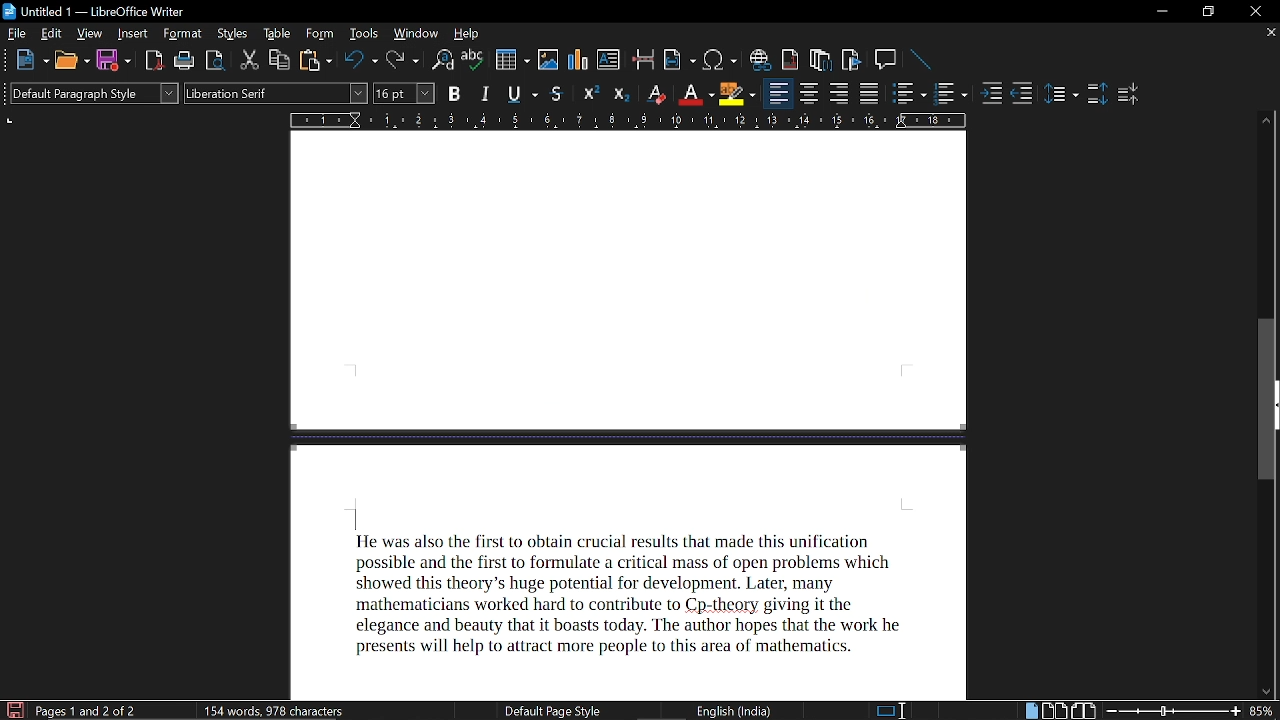 This screenshot has height=720, width=1280. Describe the element at coordinates (791, 61) in the screenshot. I see `Insert footnote` at that location.